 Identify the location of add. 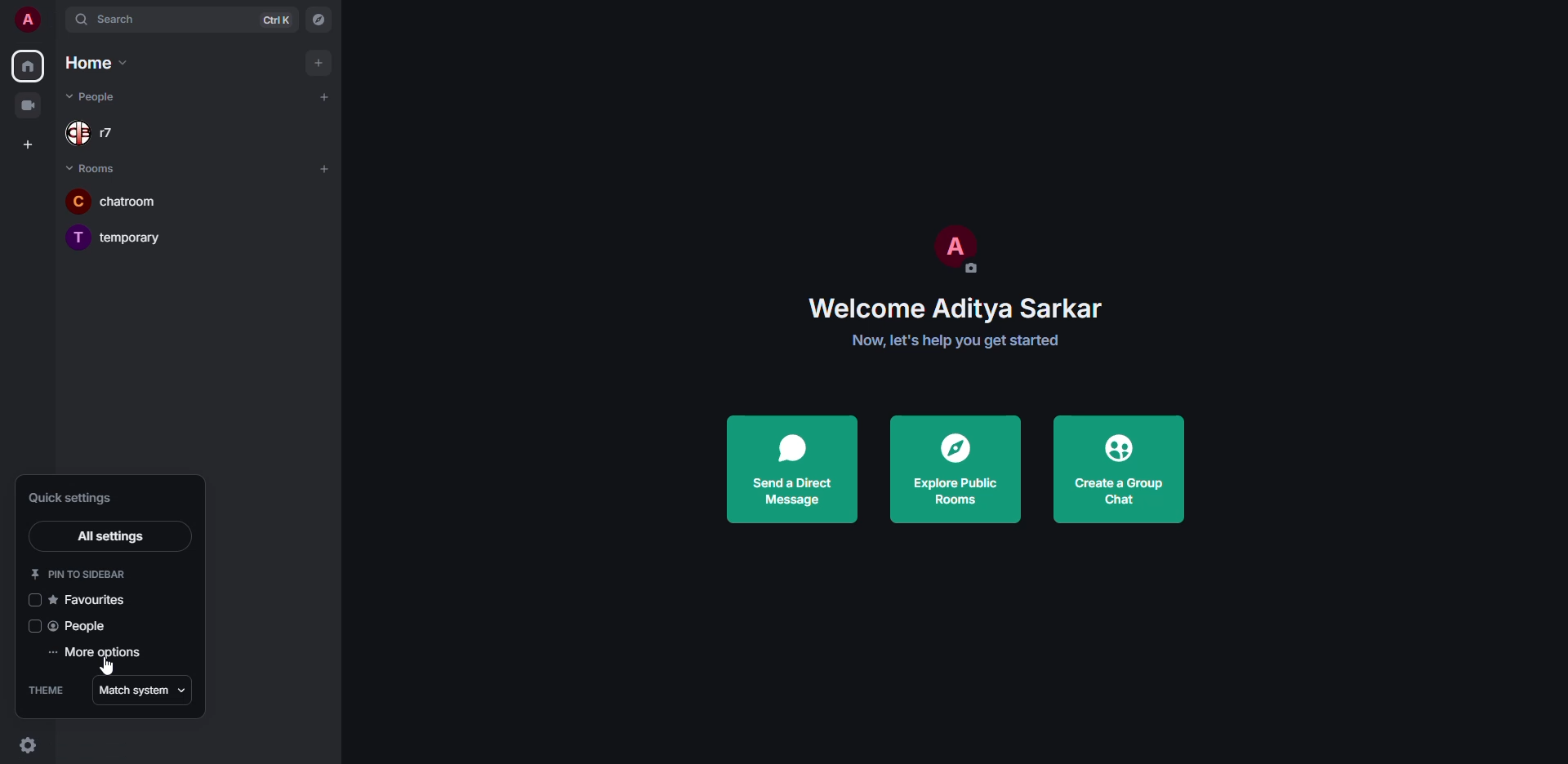
(326, 96).